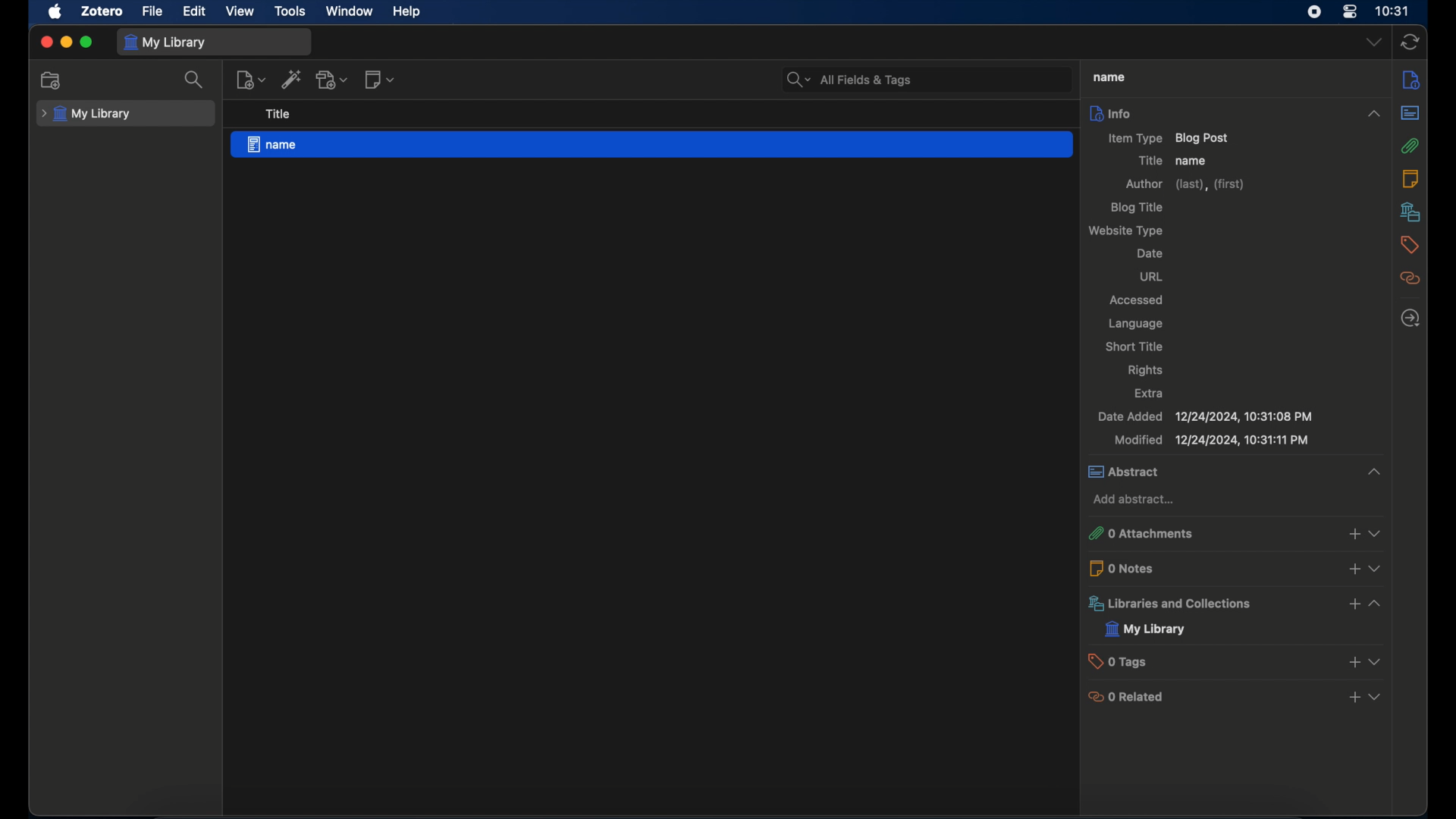 The width and height of the screenshot is (1456, 819). I want to click on new notes, so click(379, 79).